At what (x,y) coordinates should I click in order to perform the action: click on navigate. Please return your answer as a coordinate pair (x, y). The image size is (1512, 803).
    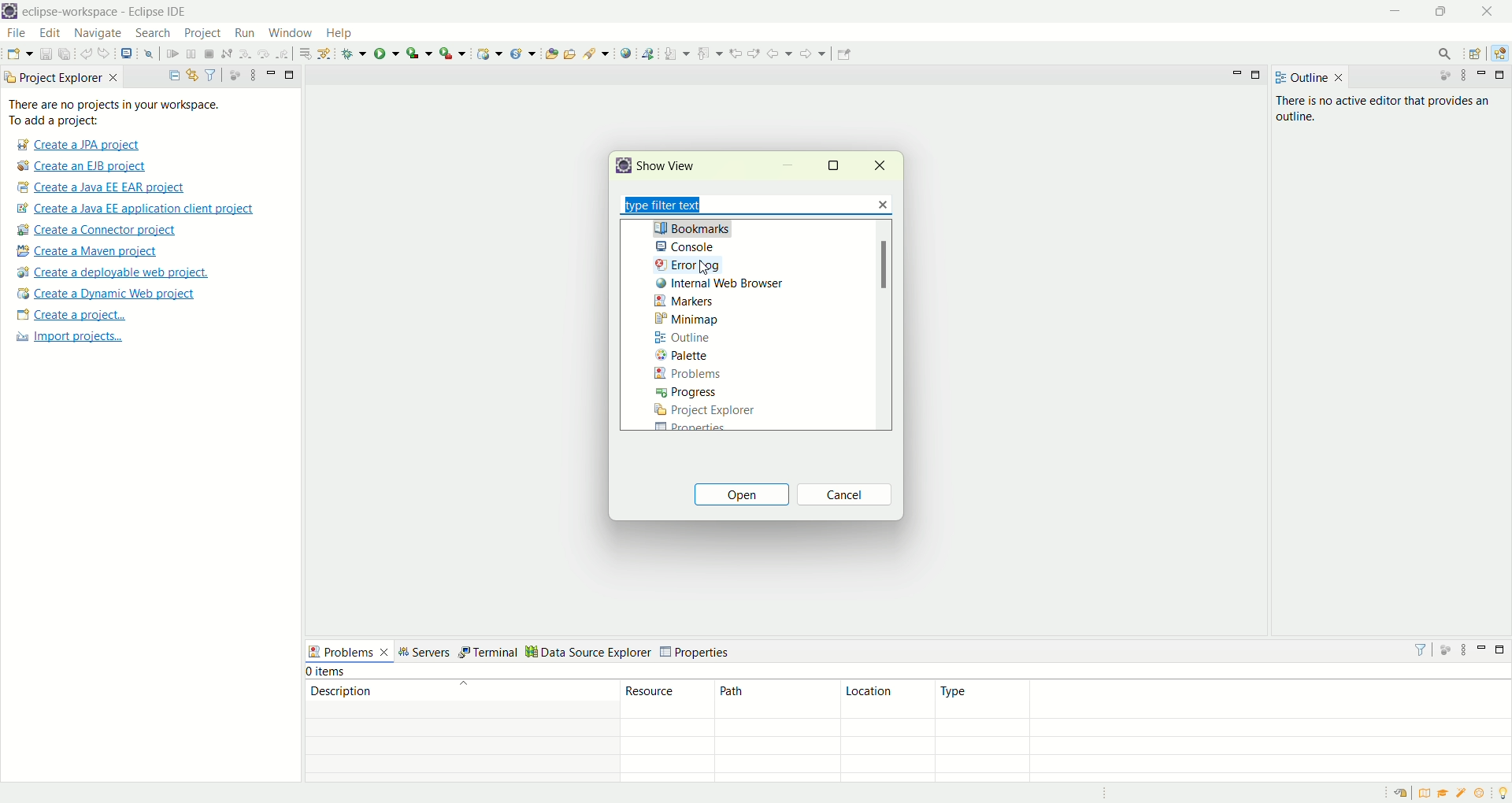
    Looking at the image, I should click on (99, 32).